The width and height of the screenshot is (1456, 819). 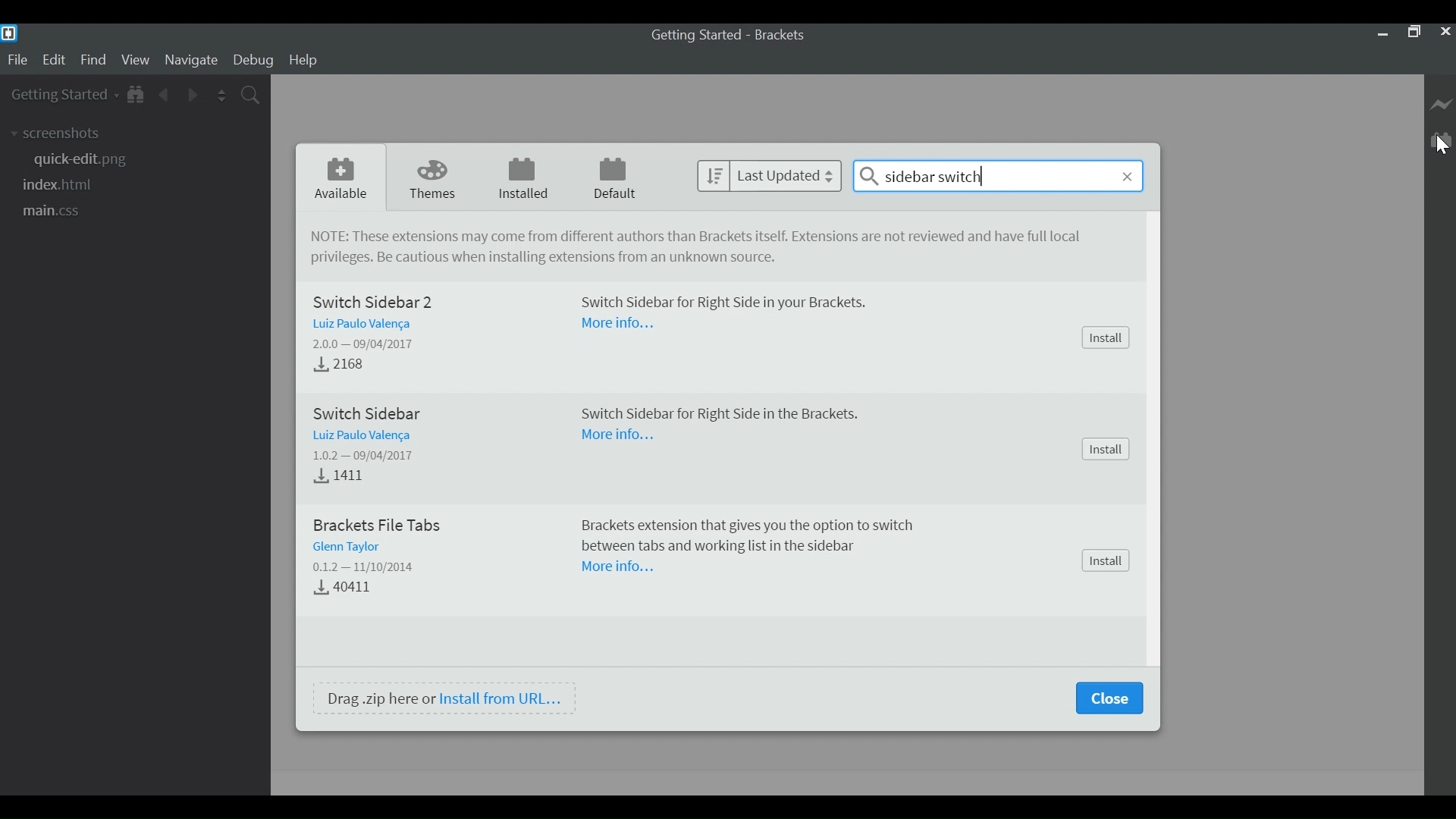 I want to click on Drag .zip here or Install from URL, so click(x=445, y=698).